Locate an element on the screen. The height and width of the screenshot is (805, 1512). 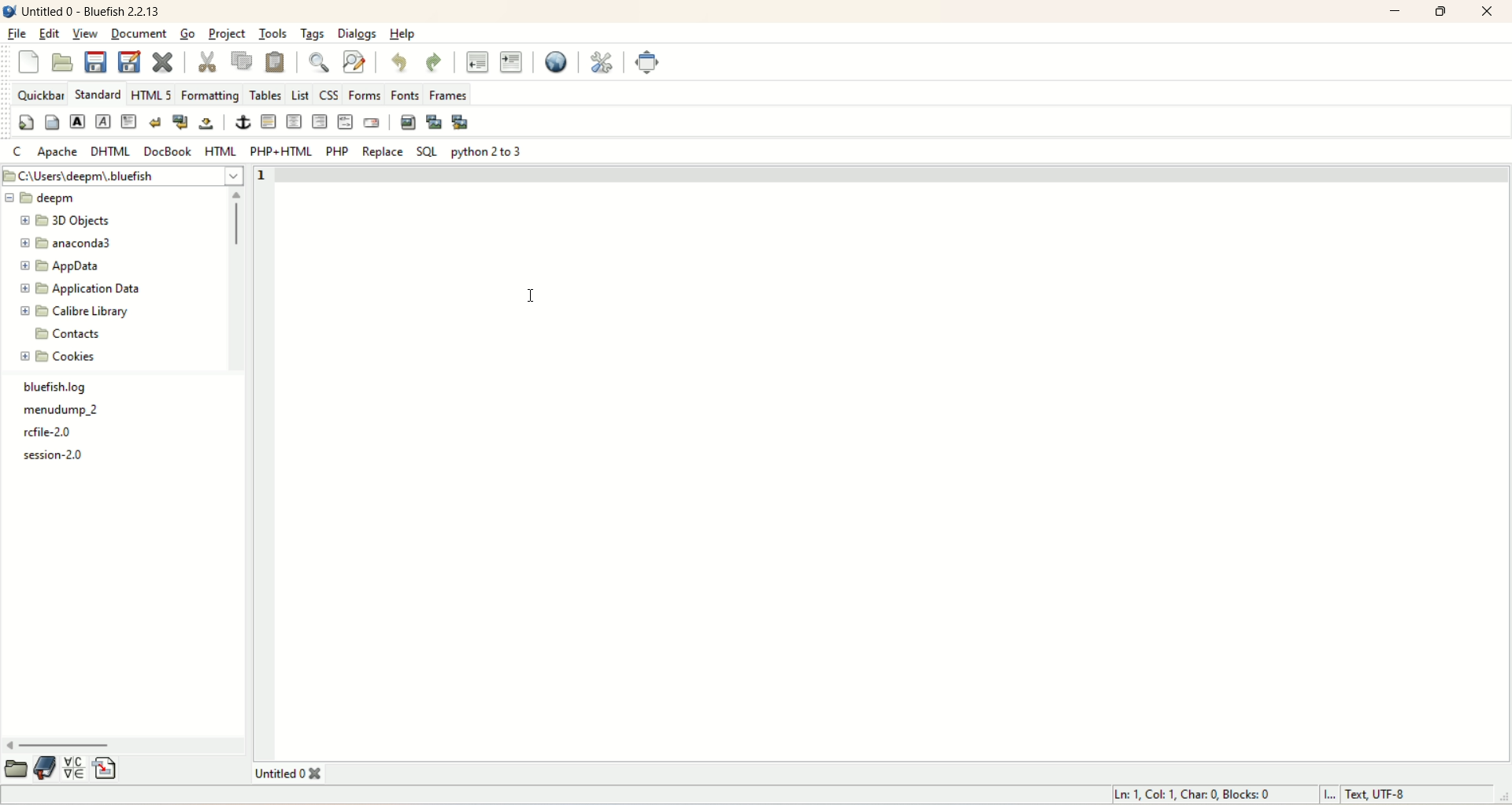
insert image is located at coordinates (407, 122).